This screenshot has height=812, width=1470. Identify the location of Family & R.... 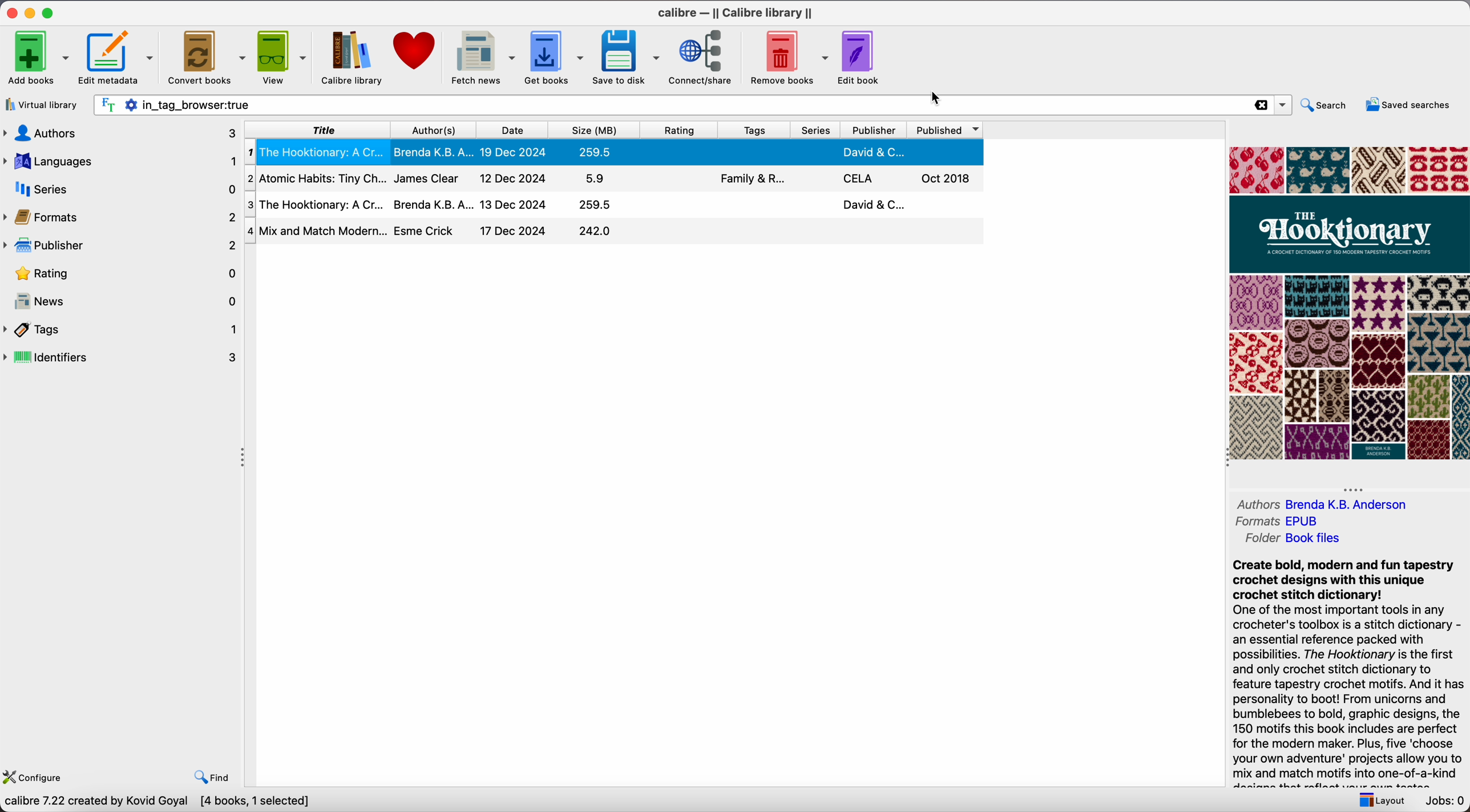
(754, 179).